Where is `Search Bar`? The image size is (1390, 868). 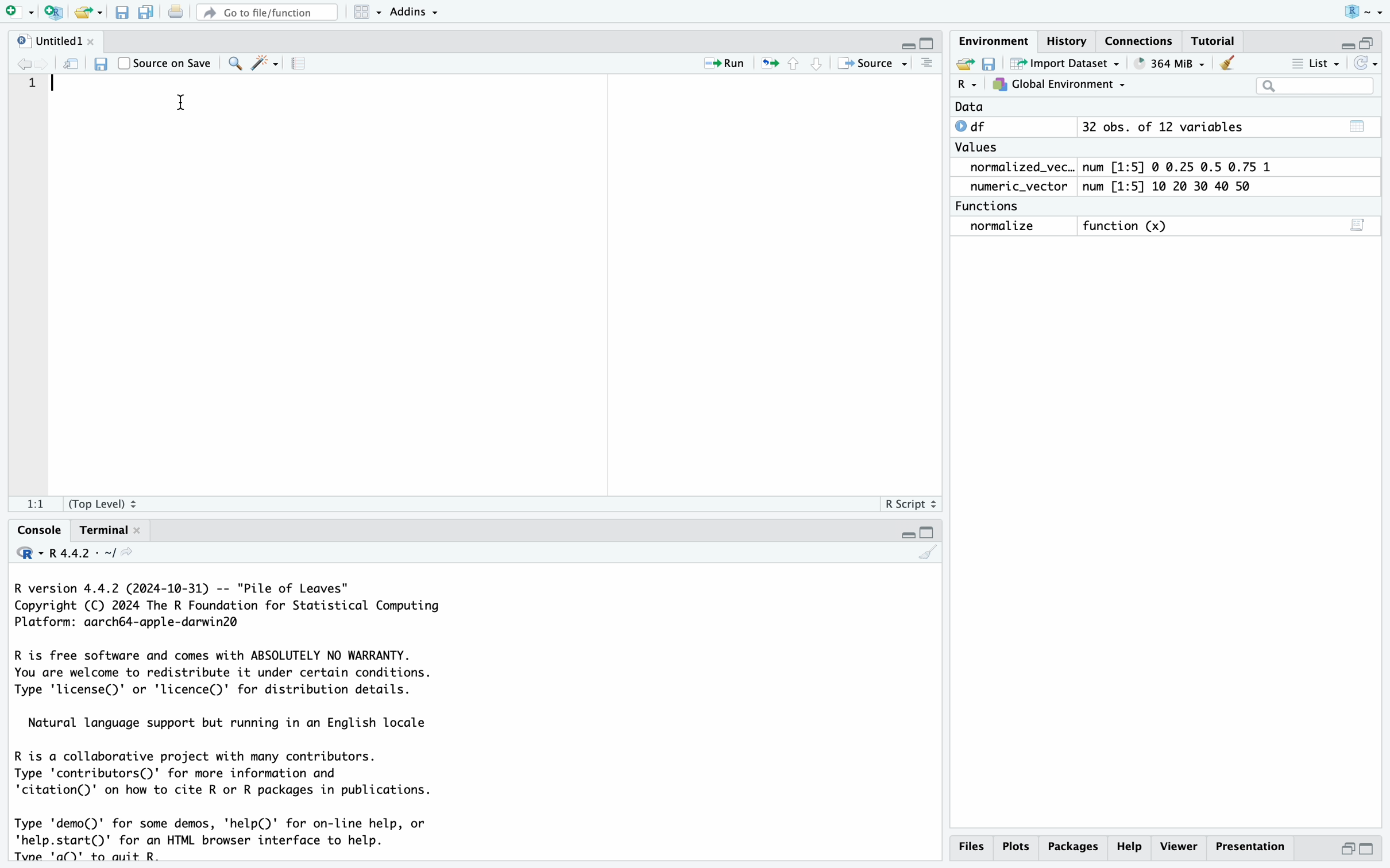
Search Bar is located at coordinates (1314, 87).